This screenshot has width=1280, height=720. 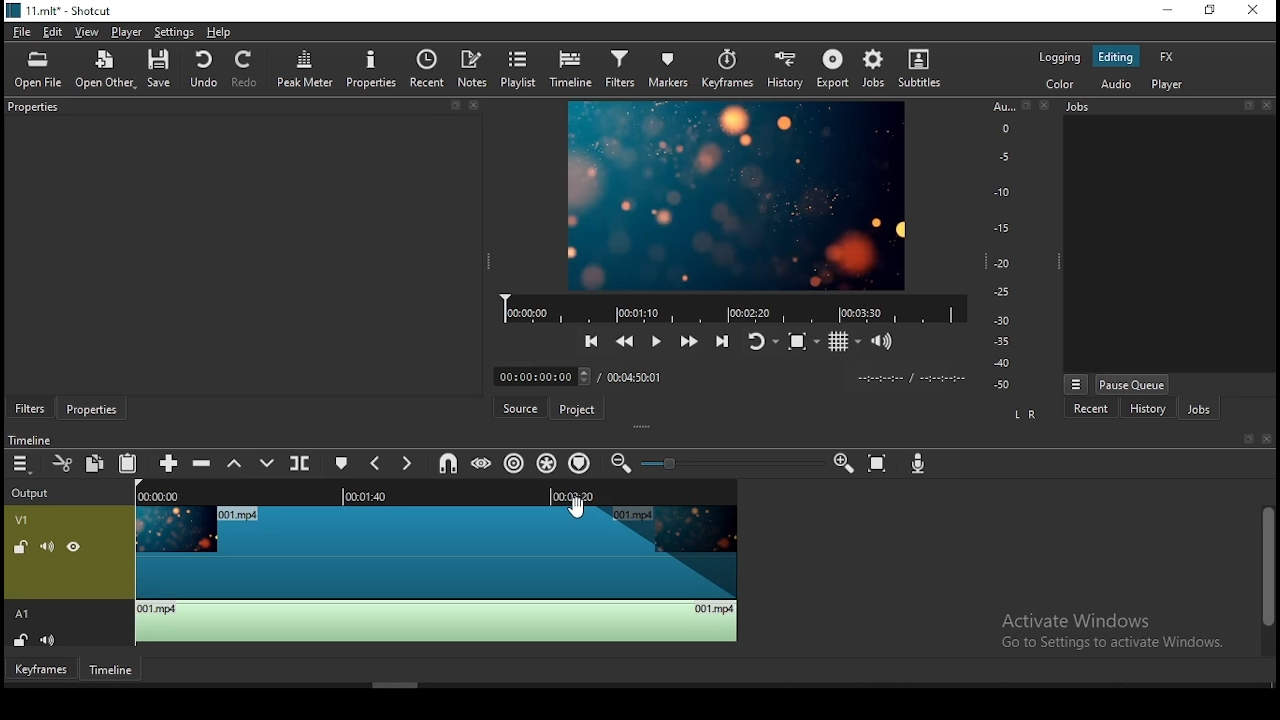 What do you see at coordinates (90, 32) in the screenshot?
I see `view` at bounding box center [90, 32].